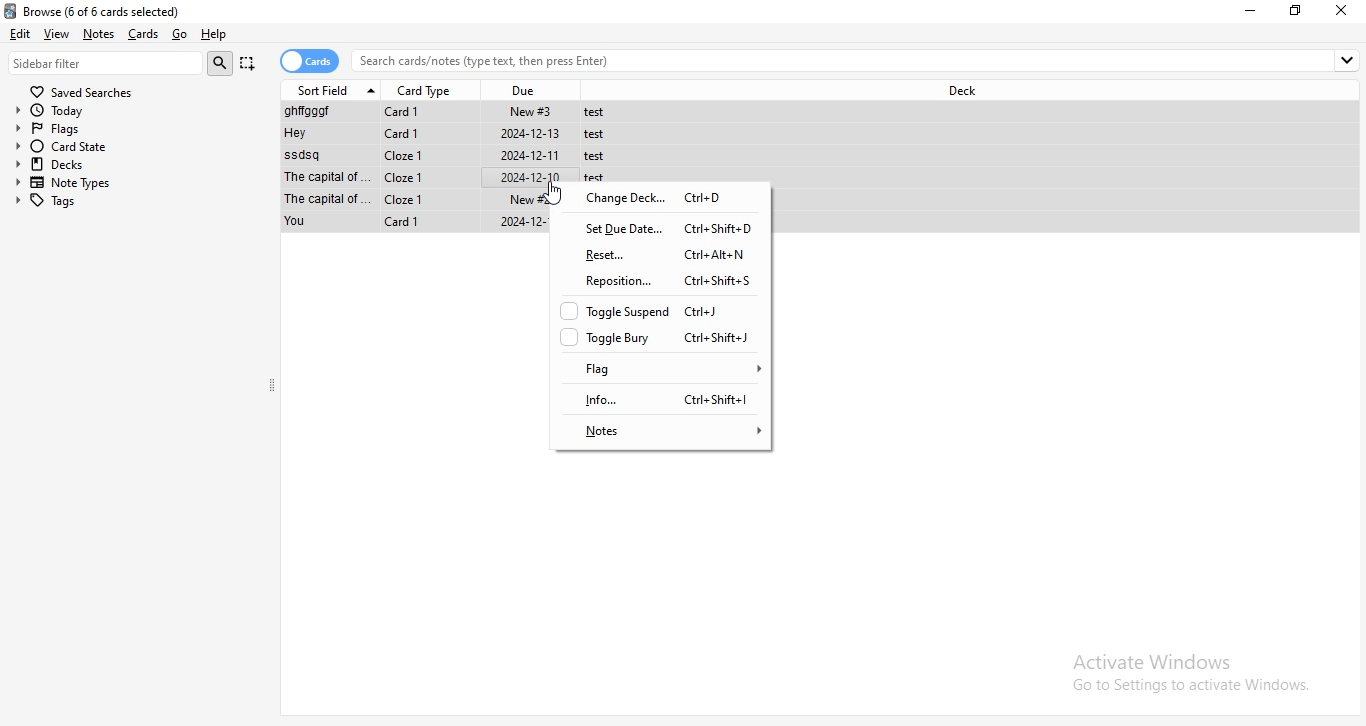 Image resolution: width=1366 pixels, height=726 pixels. What do you see at coordinates (453, 112) in the screenshot?
I see `File` at bounding box center [453, 112].